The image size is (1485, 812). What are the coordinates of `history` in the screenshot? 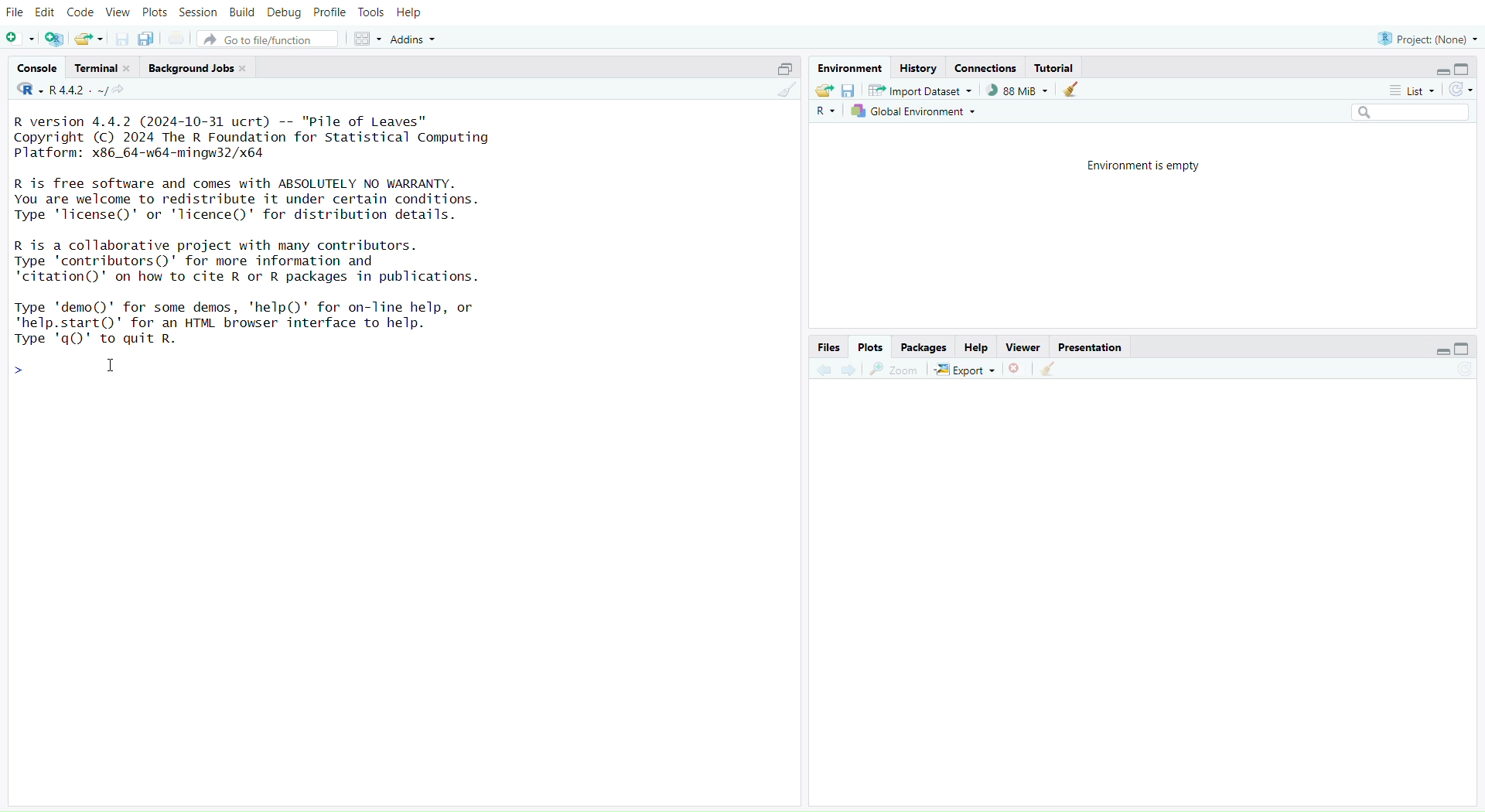 It's located at (920, 69).